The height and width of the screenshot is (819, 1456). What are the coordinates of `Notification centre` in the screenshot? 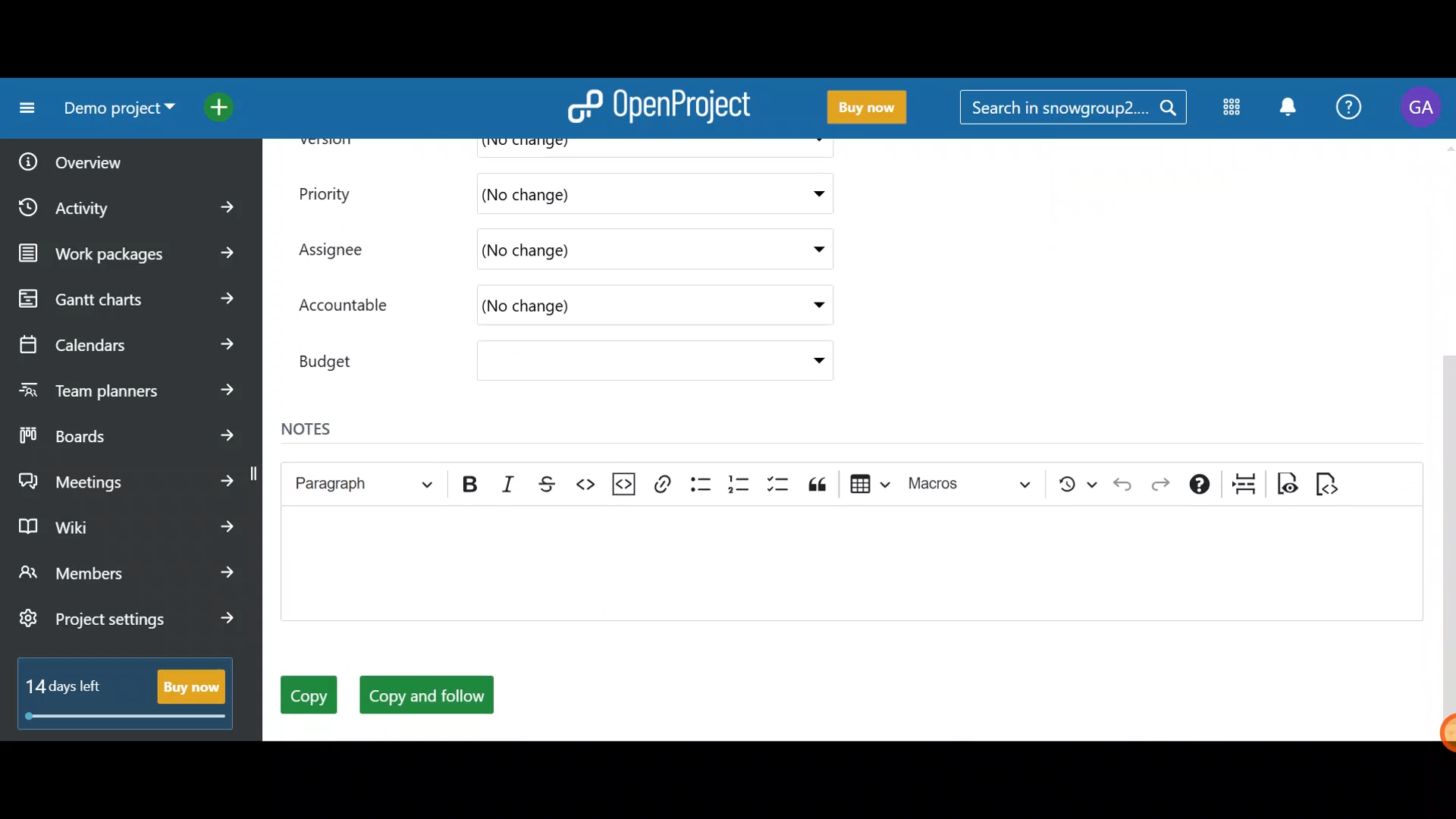 It's located at (1287, 108).